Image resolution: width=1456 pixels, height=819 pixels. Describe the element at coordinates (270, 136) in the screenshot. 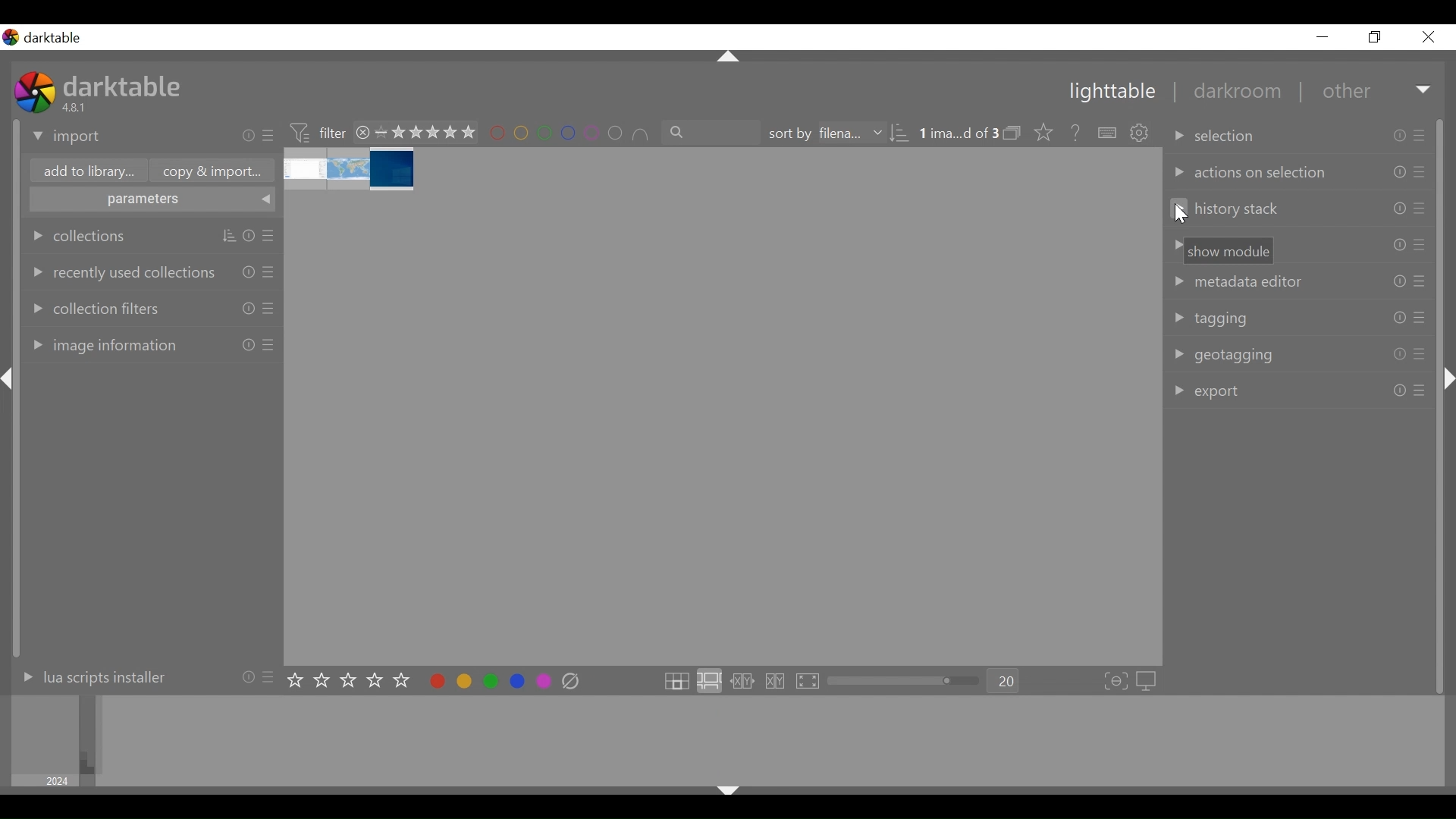

I see `presets` at that location.